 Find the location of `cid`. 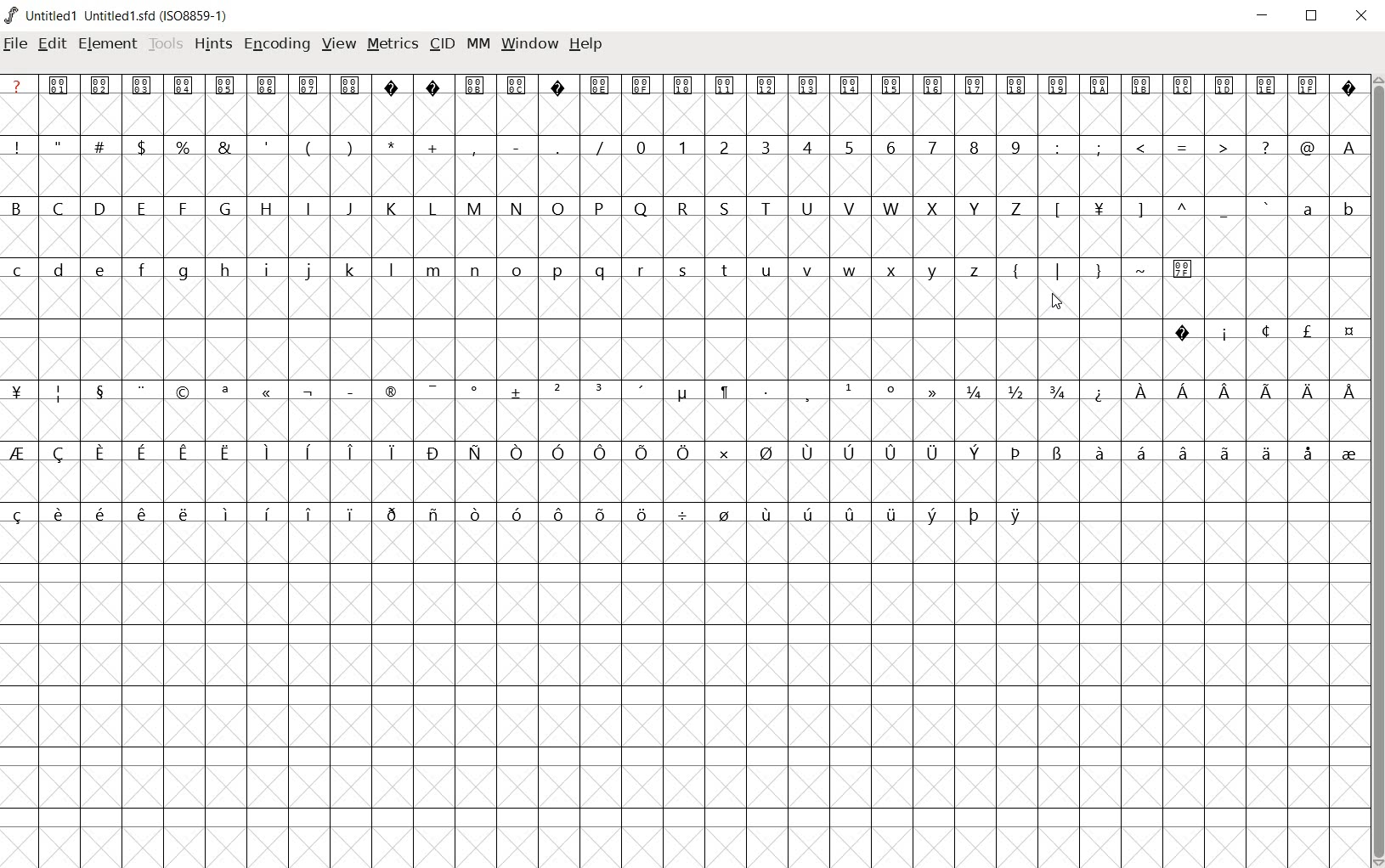

cid is located at coordinates (442, 44).